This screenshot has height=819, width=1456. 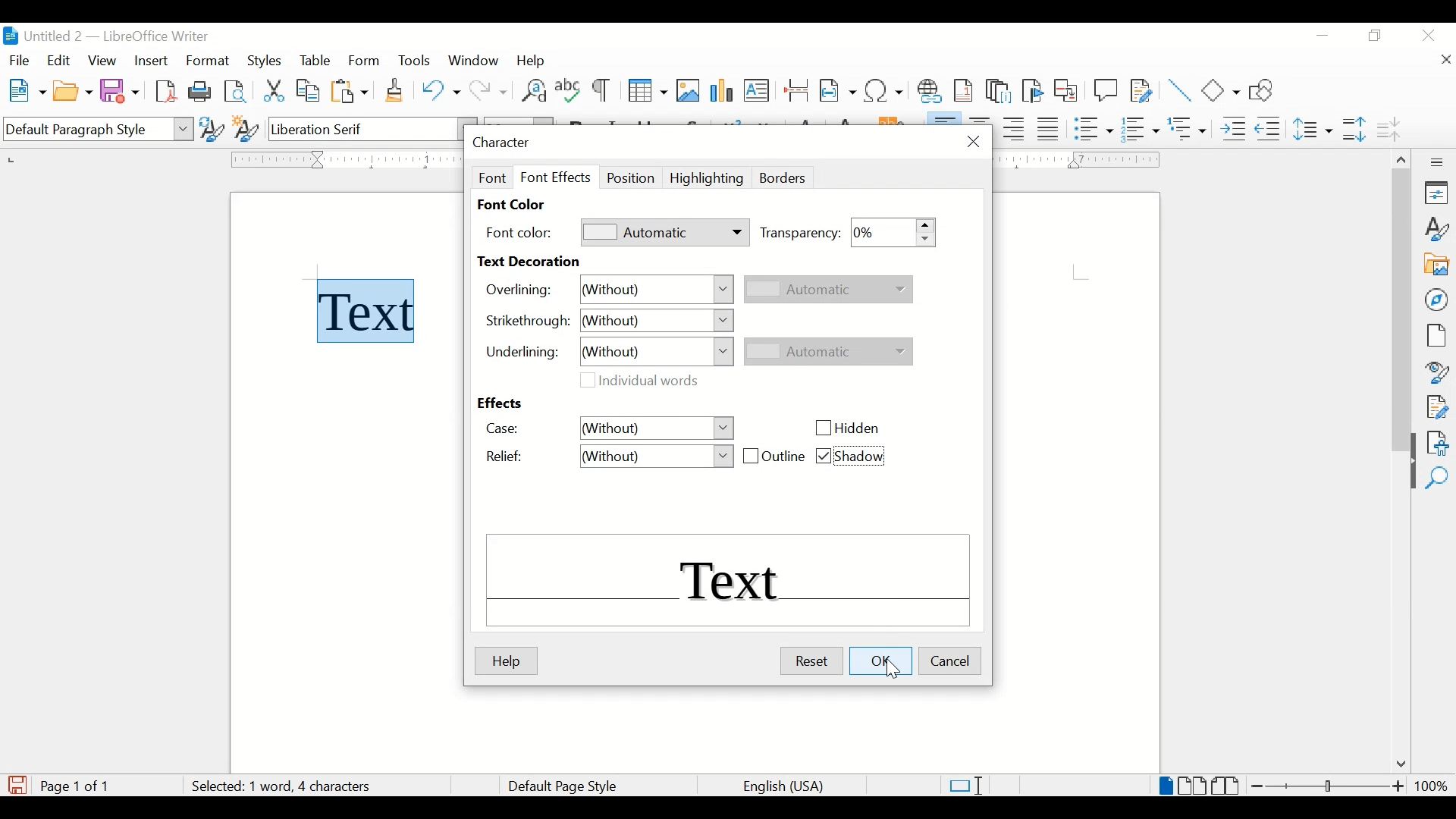 I want to click on more options, so click(x=1439, y=162).